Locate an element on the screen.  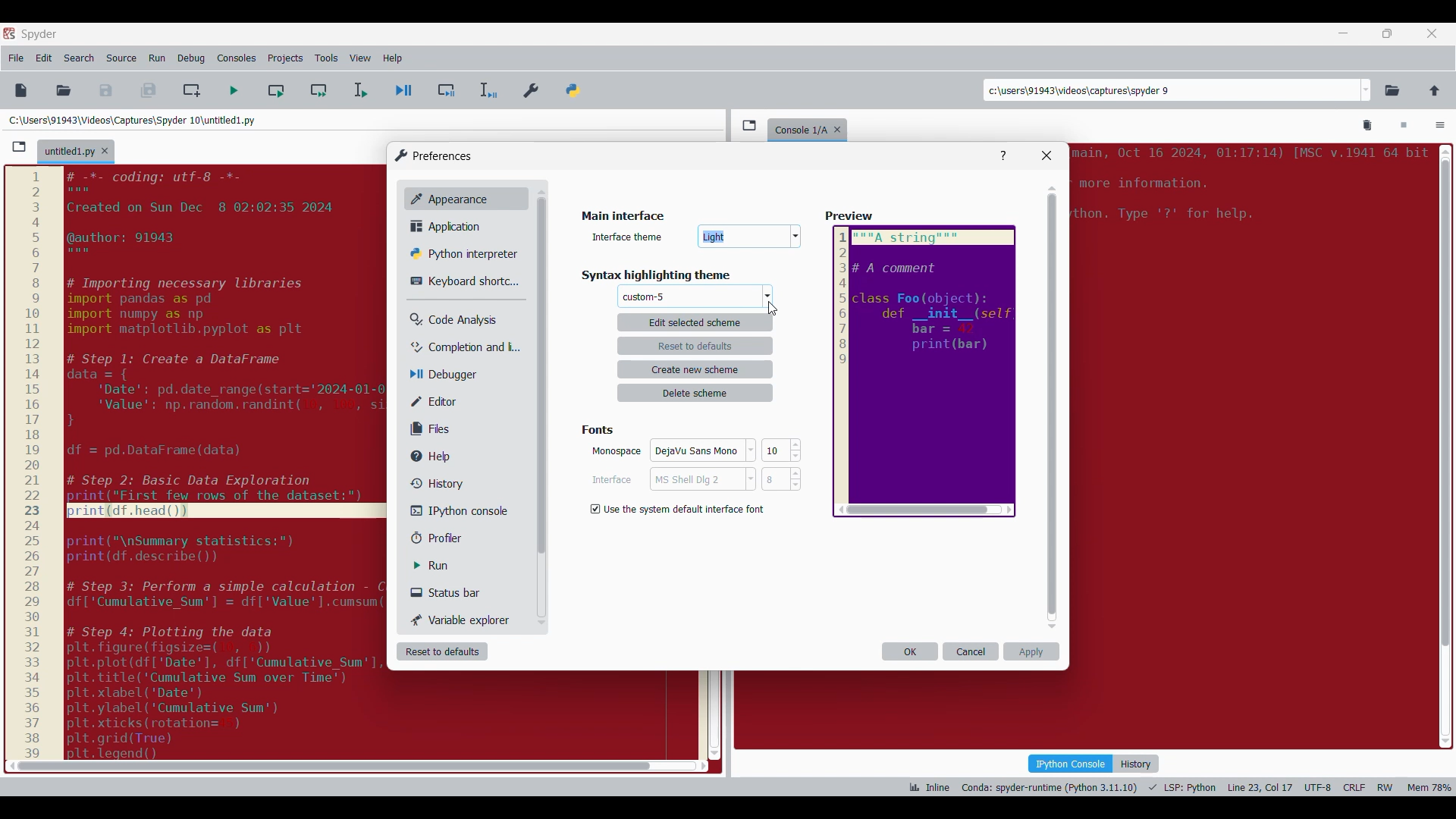
Close tab is located at coordinates (1432, 33).